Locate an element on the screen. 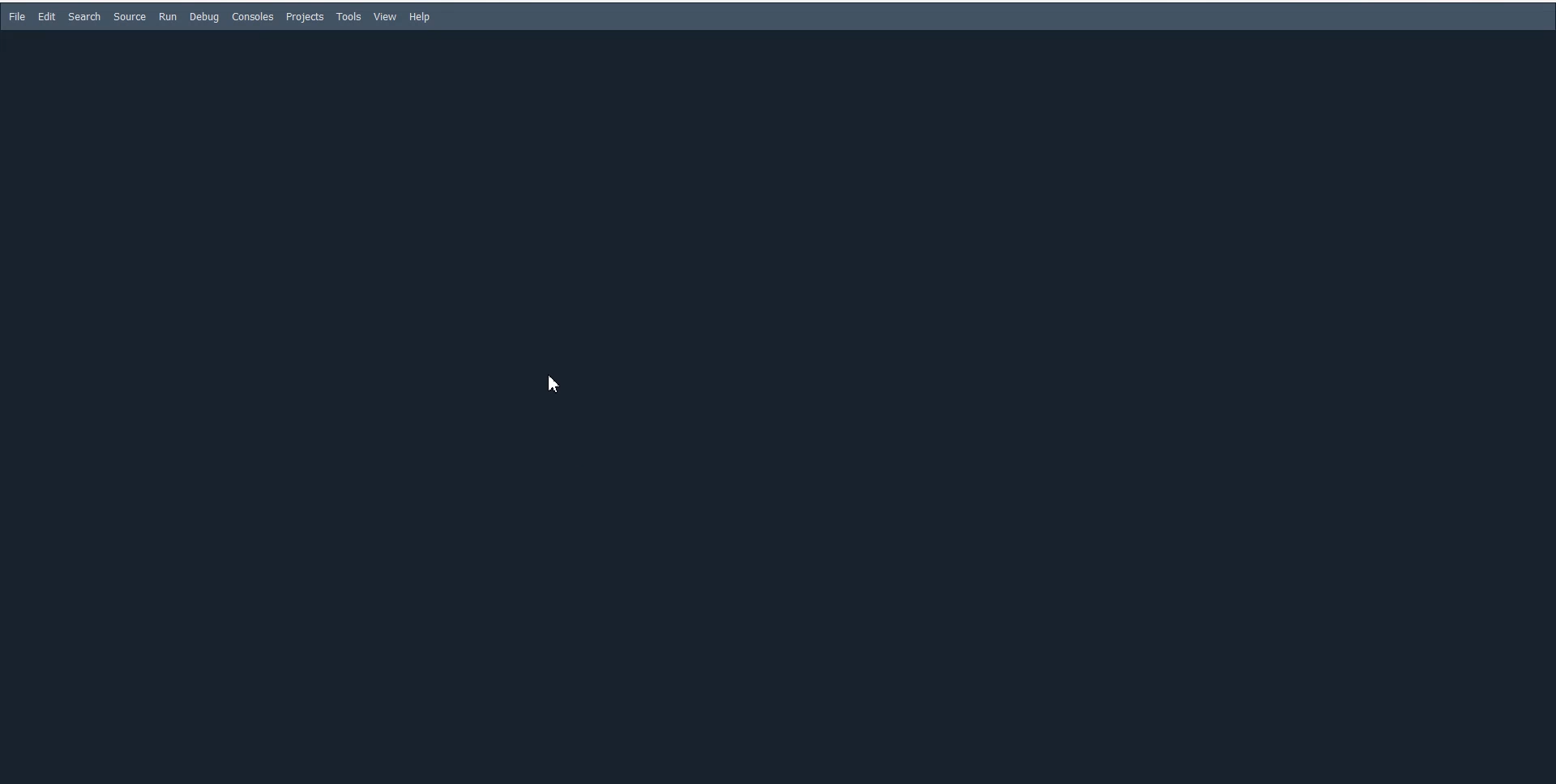  Default Start Pane is located at coordinates (774, 405).